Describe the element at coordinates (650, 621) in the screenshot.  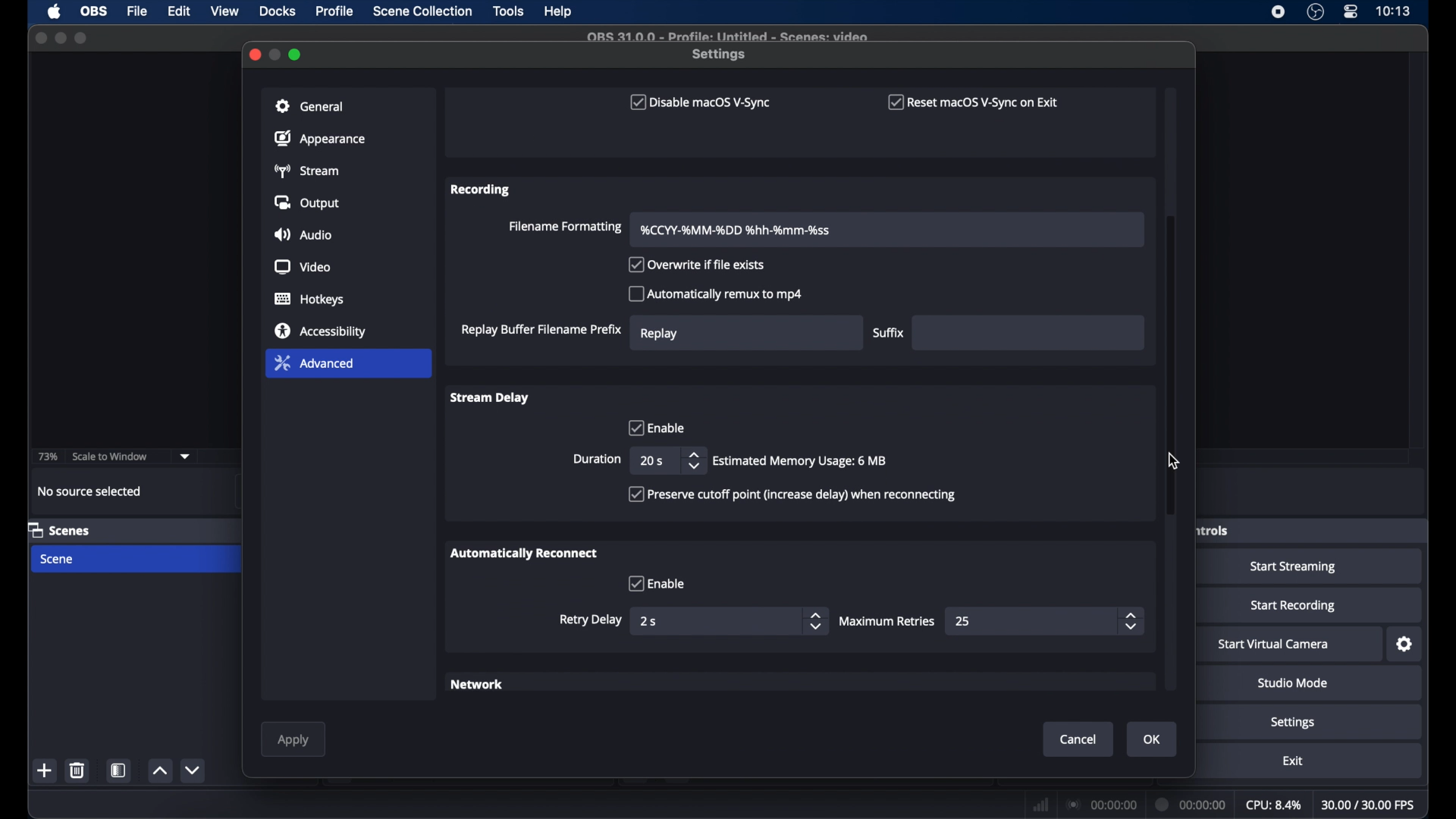
I see `2s` at that location.